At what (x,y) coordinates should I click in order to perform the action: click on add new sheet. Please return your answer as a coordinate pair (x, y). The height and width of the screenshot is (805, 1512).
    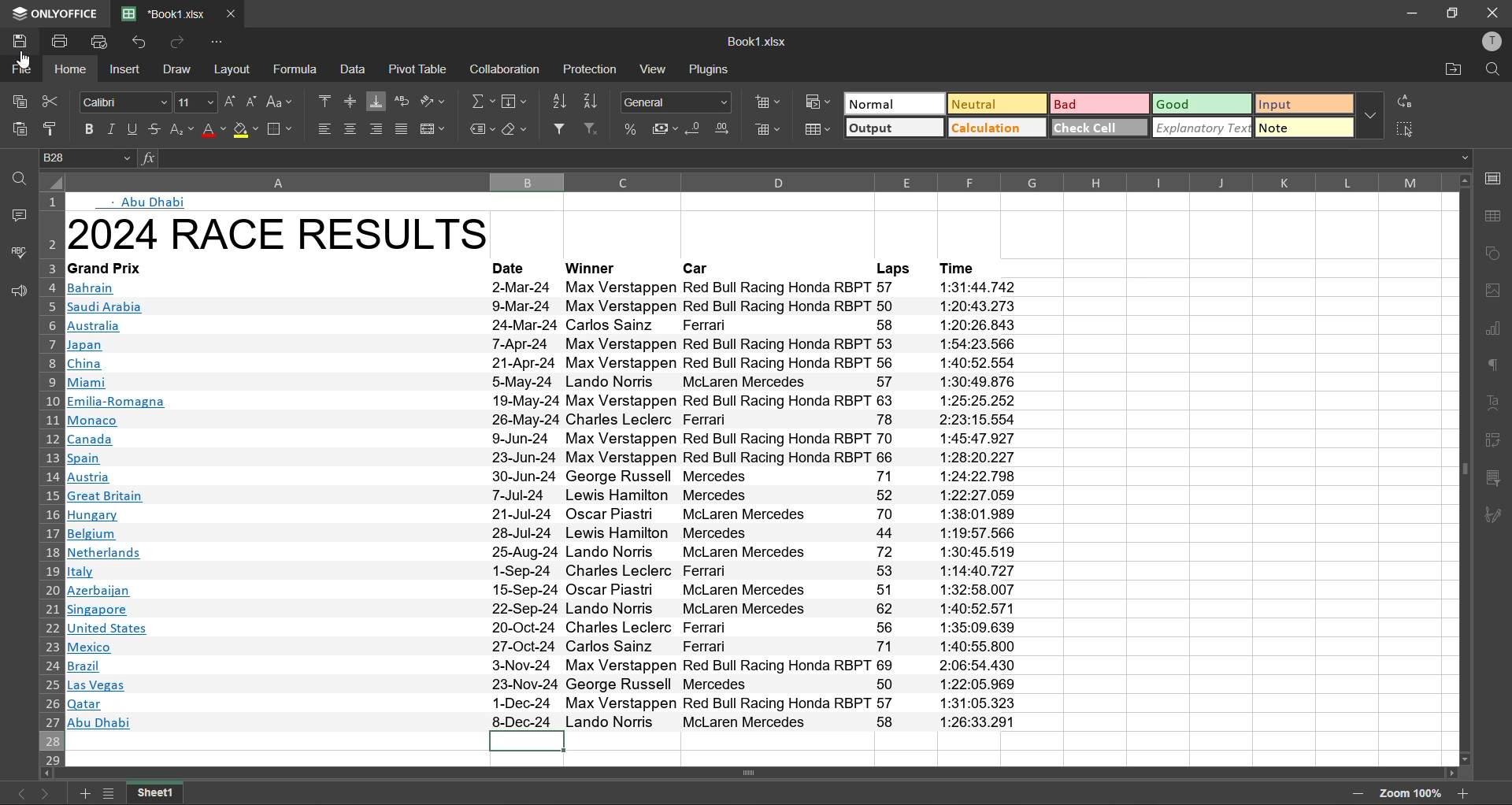
    Looking at the image, I should click on (84, 793).